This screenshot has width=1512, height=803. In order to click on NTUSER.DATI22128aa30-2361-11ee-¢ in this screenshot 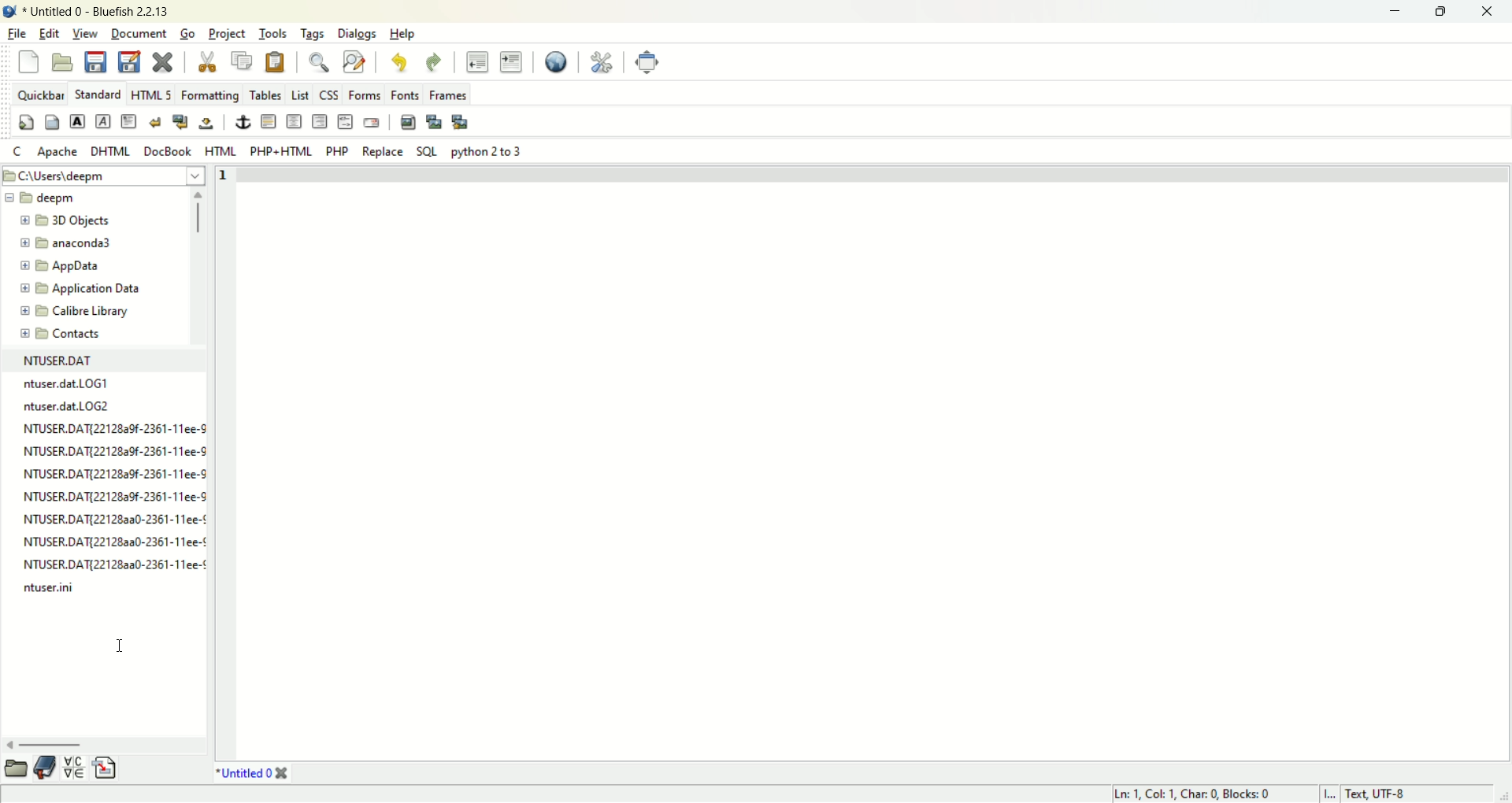, I will do `click(114, 539)`.